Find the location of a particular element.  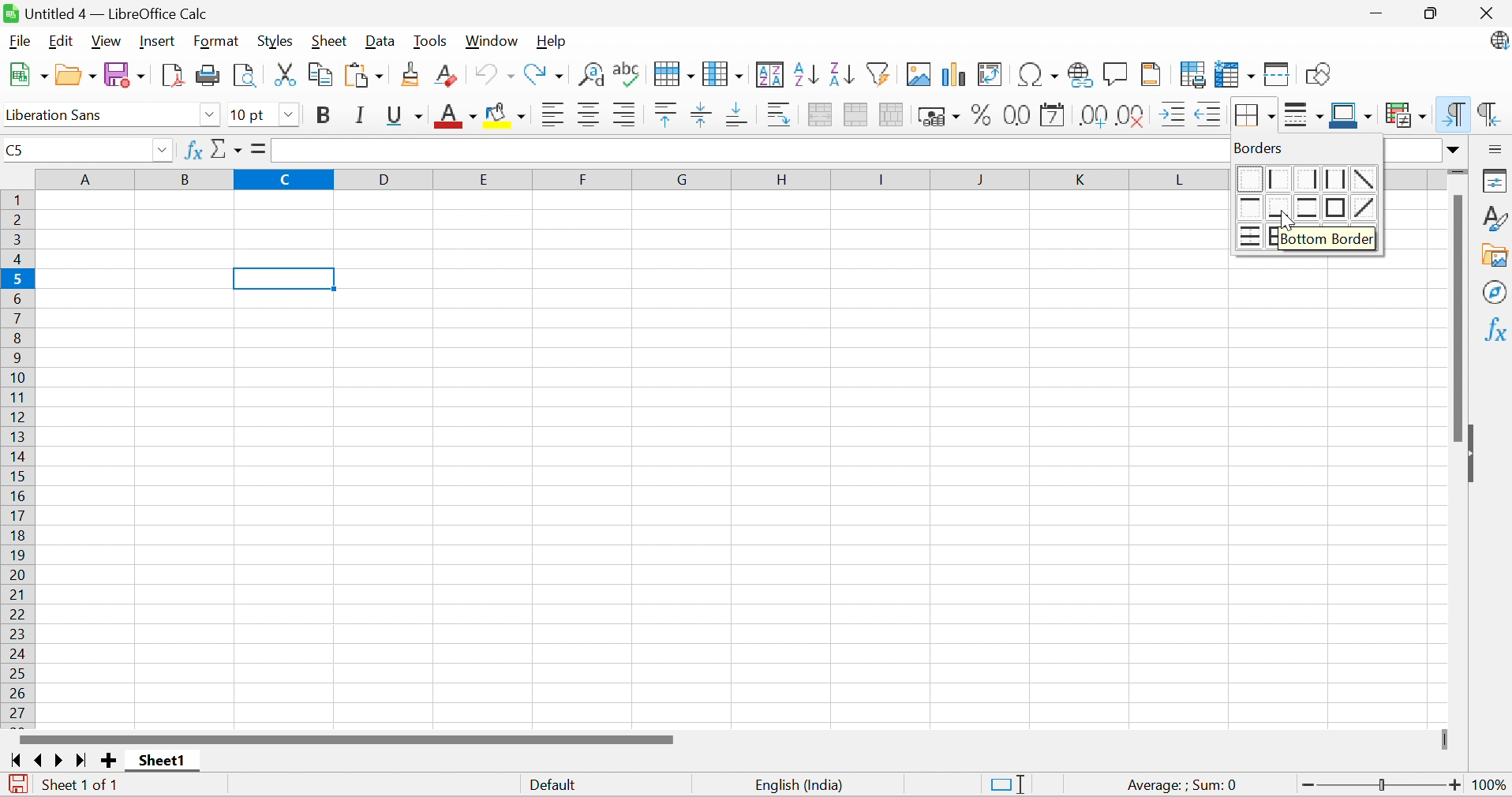

Wrap text is located at coordinates (780, 115).